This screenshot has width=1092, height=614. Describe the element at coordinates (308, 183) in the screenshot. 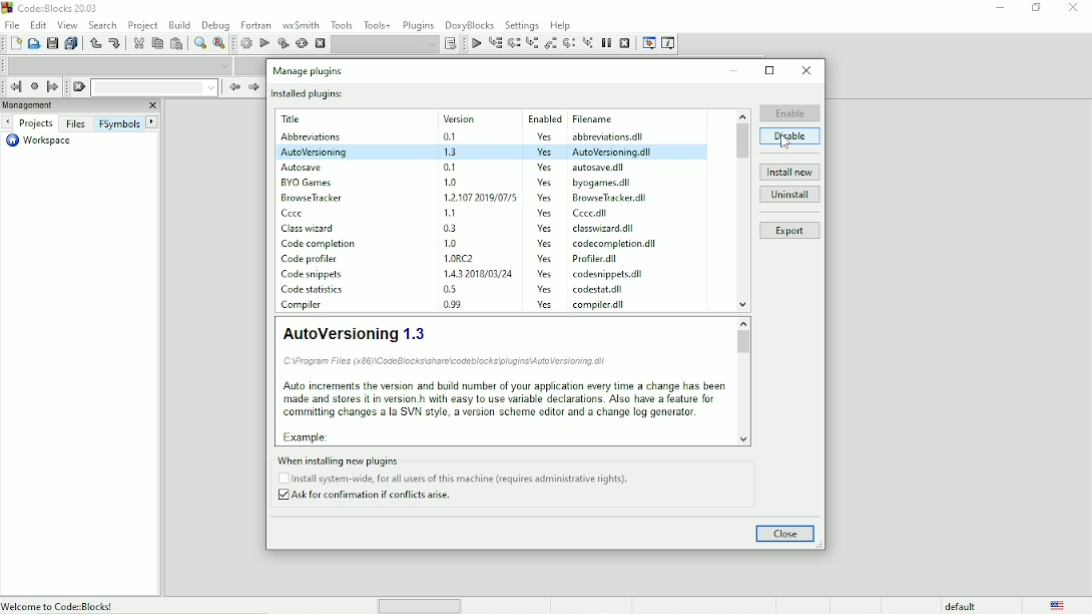

I see `BYO Games` at that location.